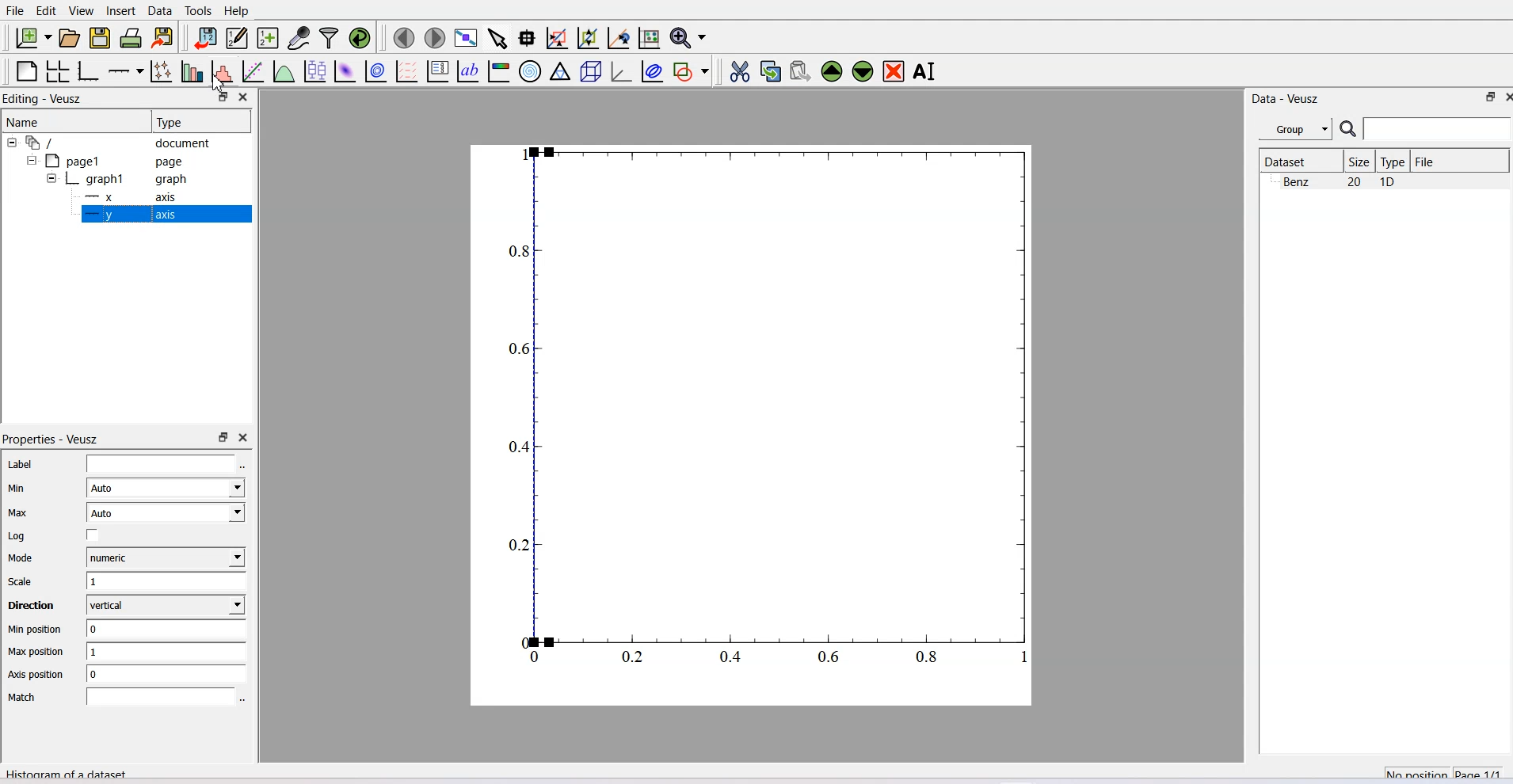  Describe the element at coordinates (1295, 127) in the screenshot. I see `Group` at that location.